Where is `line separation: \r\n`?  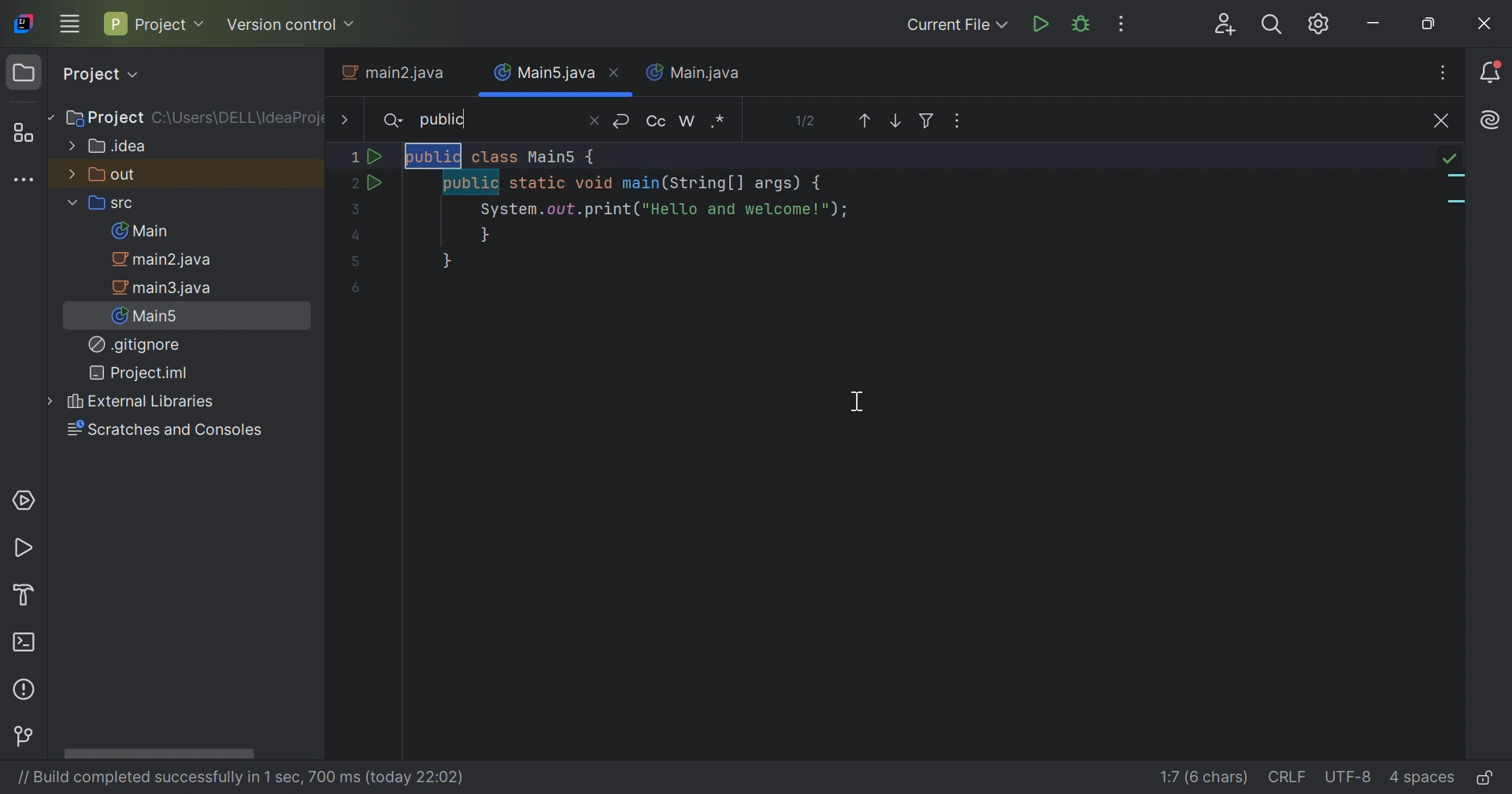
line separation: \r\n is located at coordinates (1289, 777).